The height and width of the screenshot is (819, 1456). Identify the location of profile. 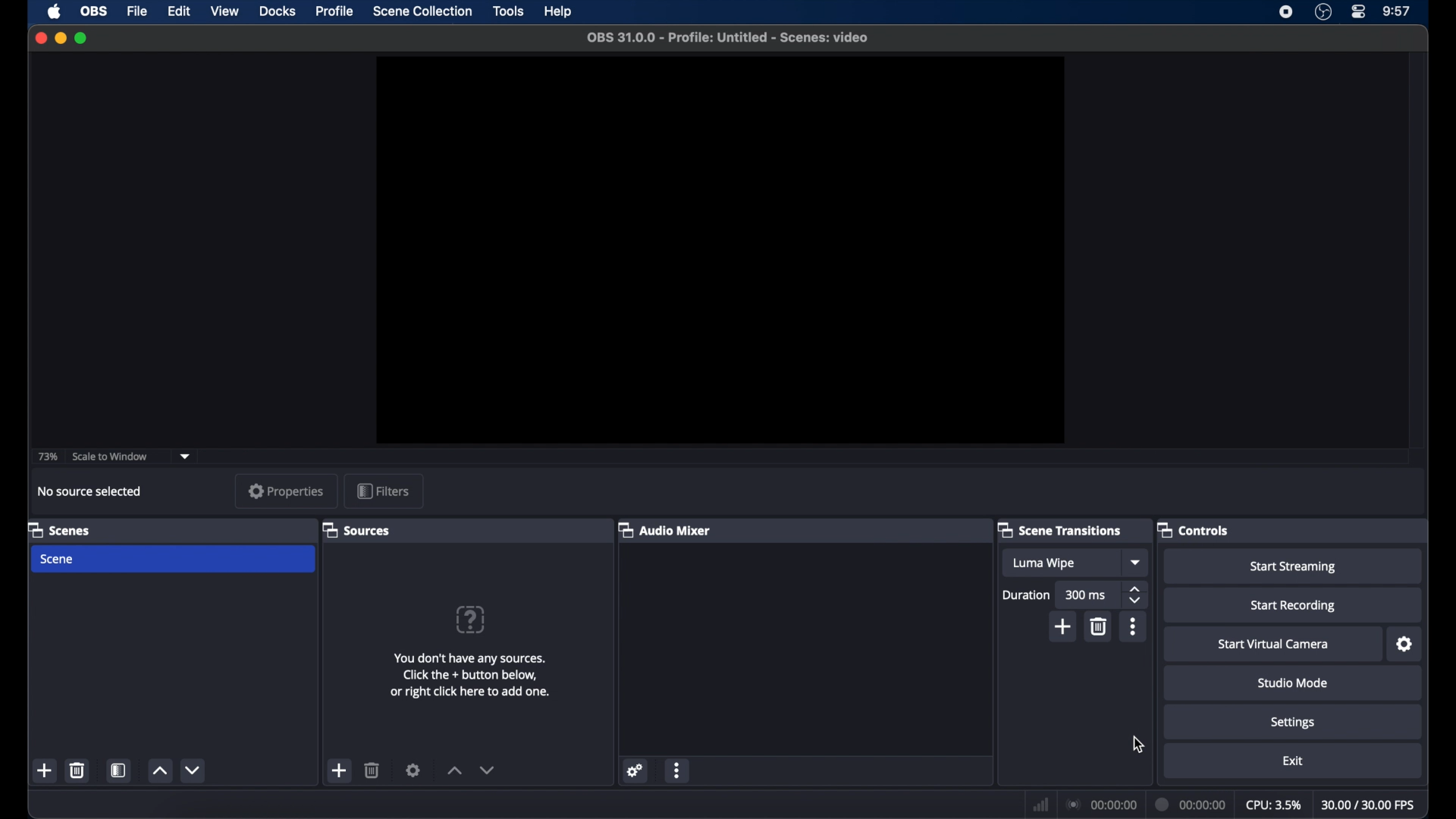
(335, 11).